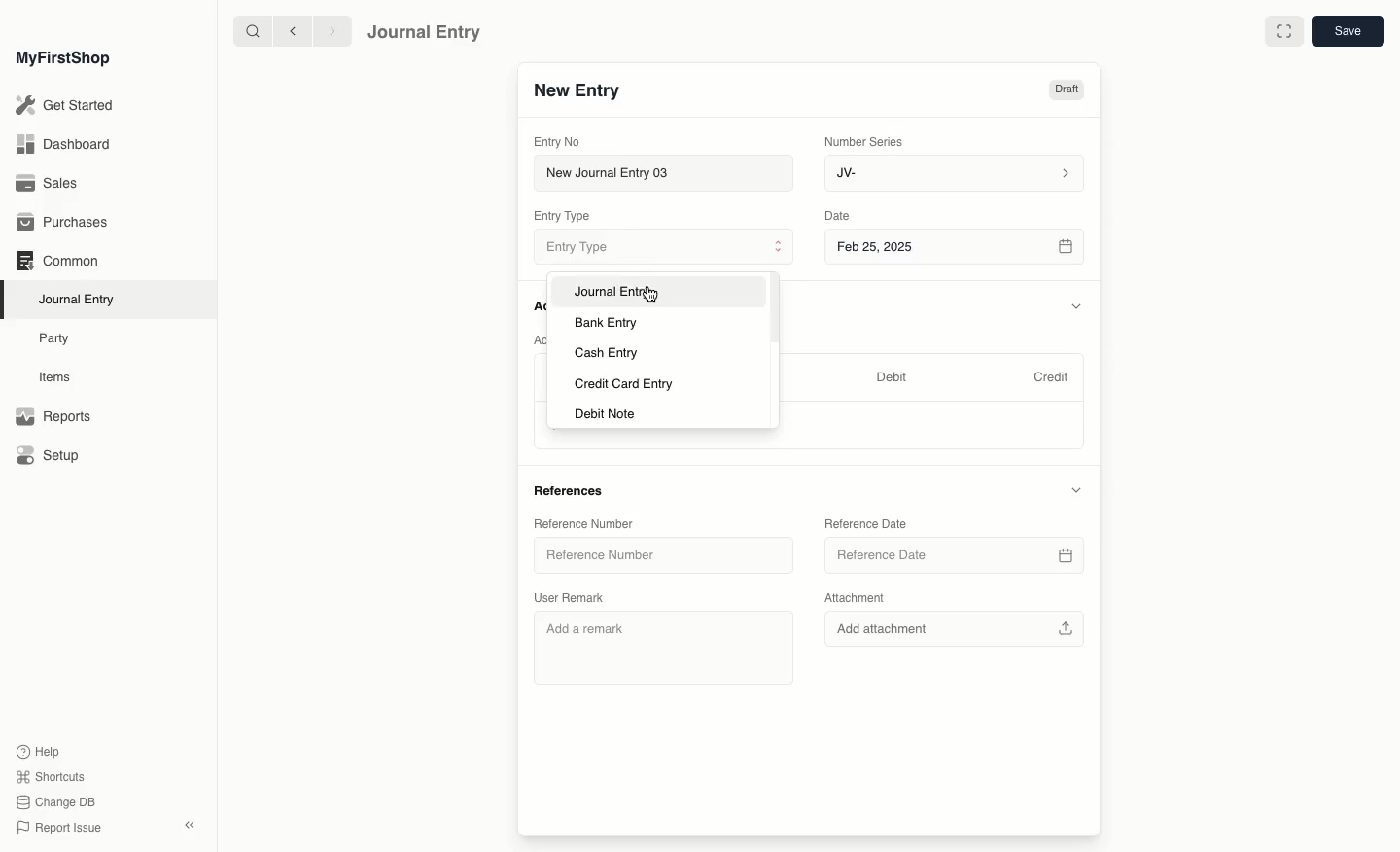  I want to click on Entry No, so click(558, 141).